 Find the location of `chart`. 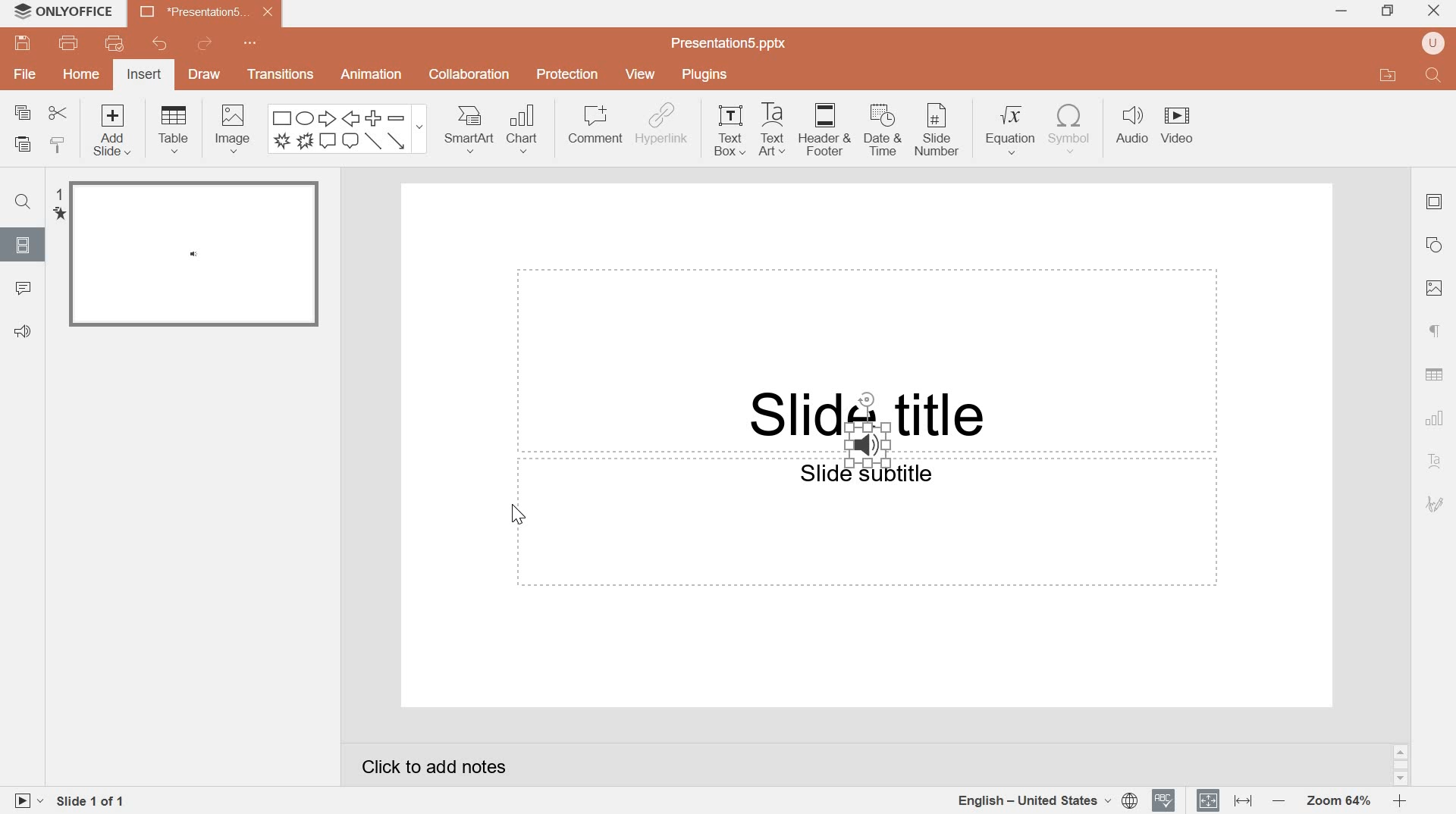

chart is located at coordinates (1436, 418).